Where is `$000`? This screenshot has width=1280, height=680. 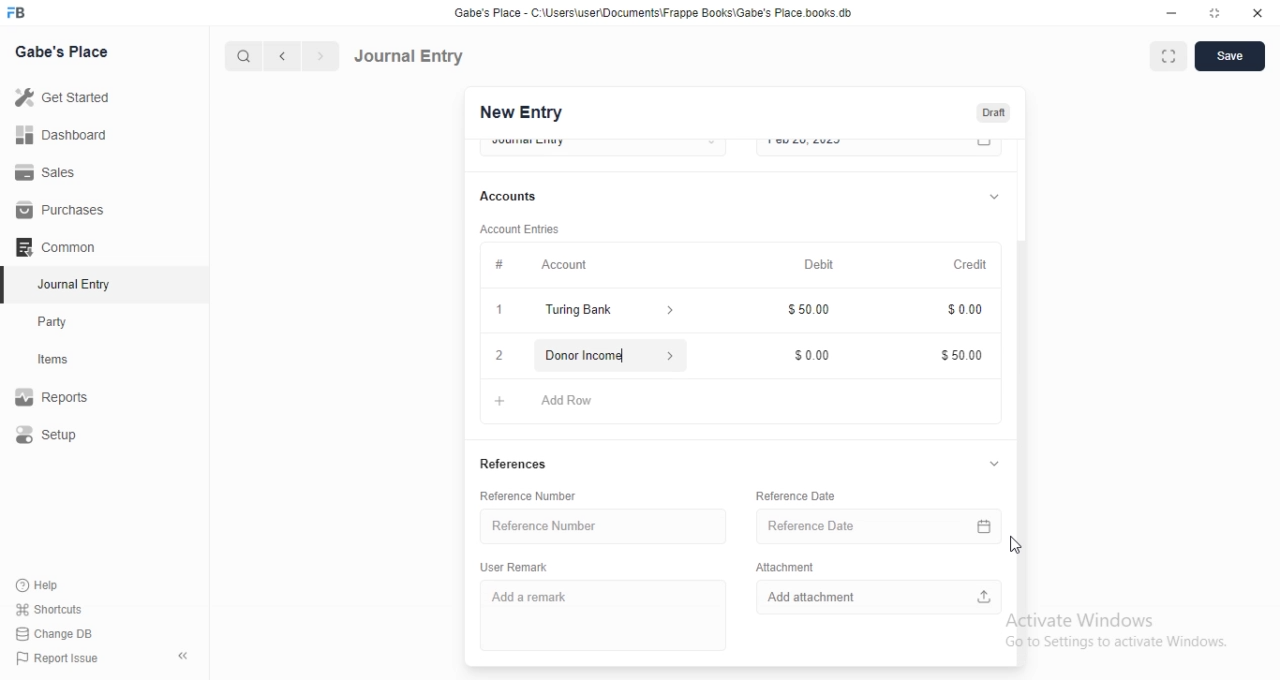 $000 is located at coordinates (962, 312).